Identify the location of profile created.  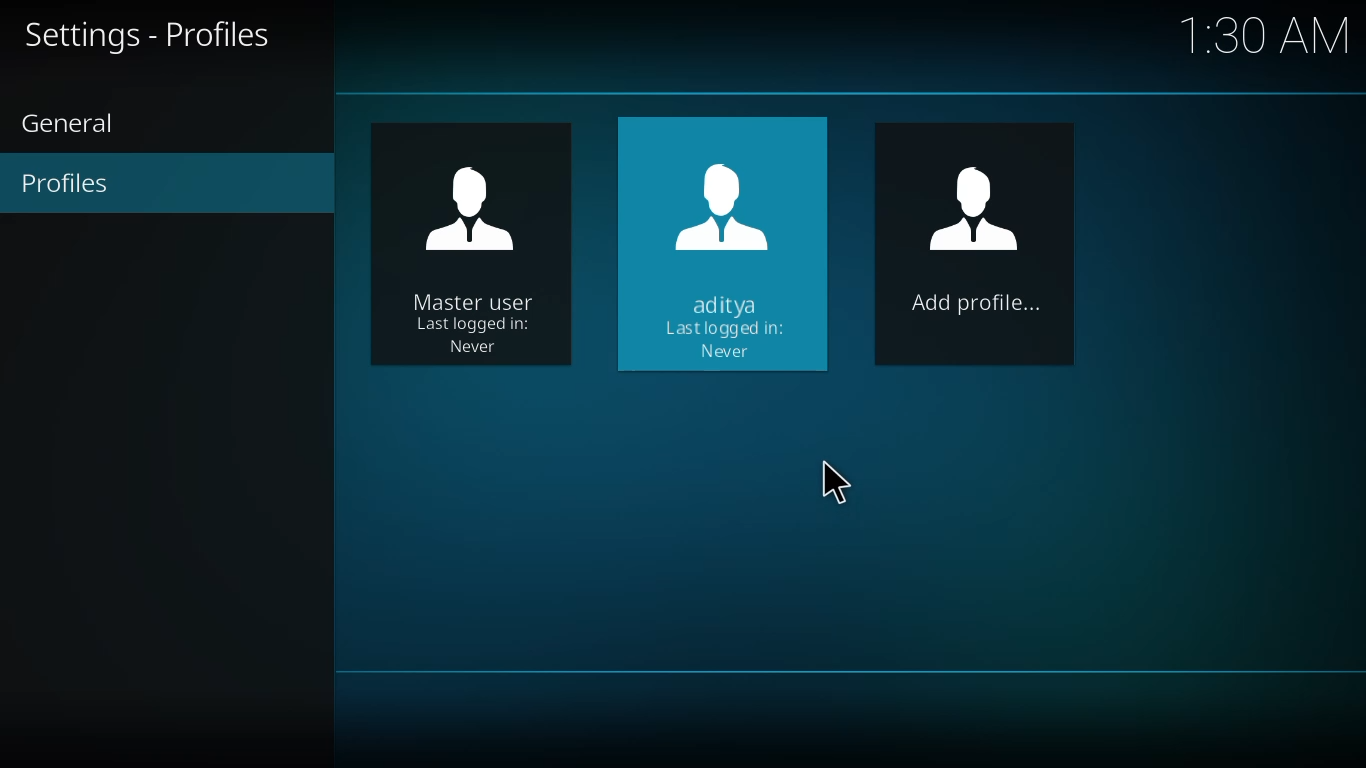
(730, 255).